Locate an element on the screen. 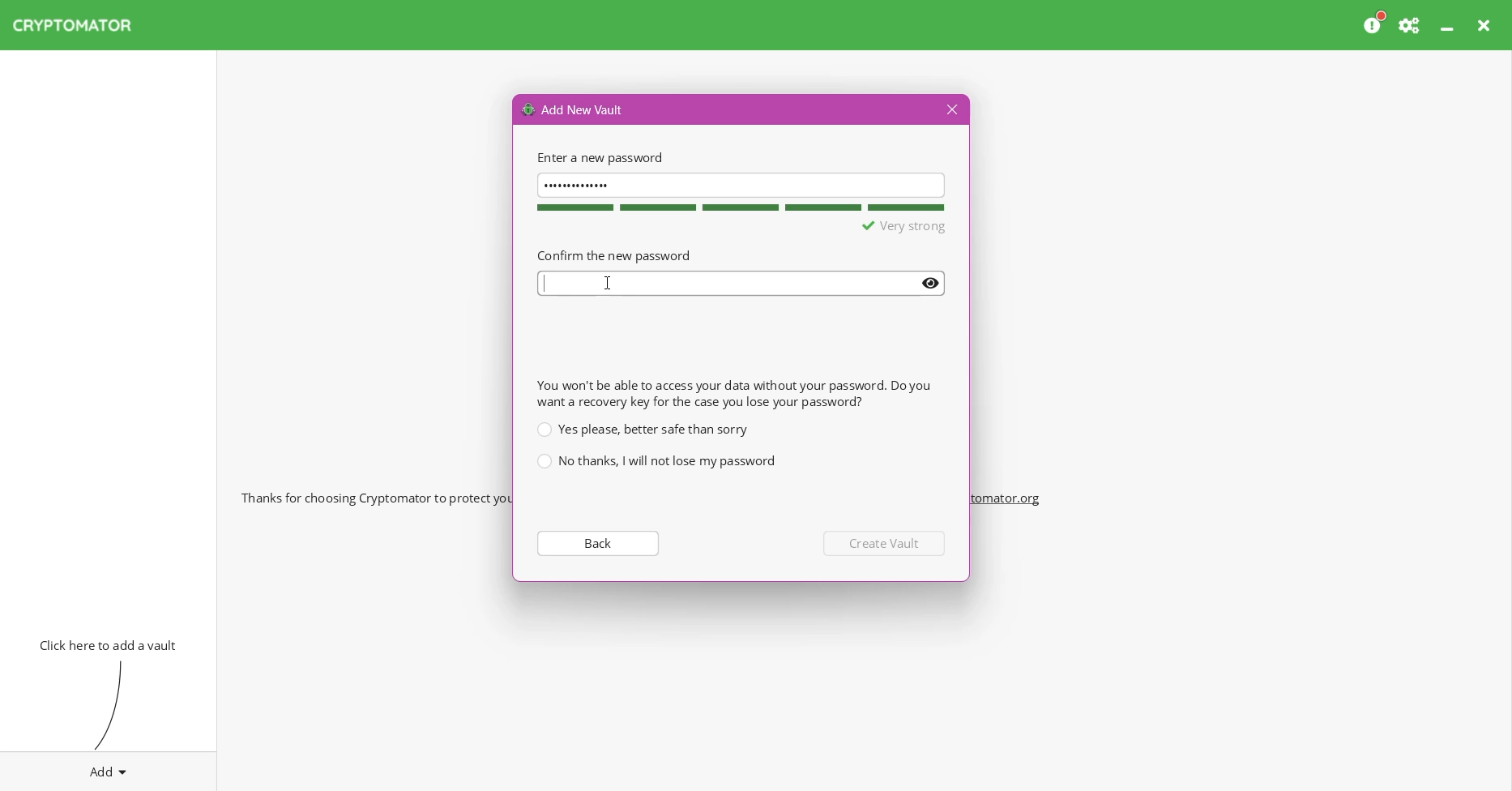  Confirm the new password is located at coordinates (742, 284).